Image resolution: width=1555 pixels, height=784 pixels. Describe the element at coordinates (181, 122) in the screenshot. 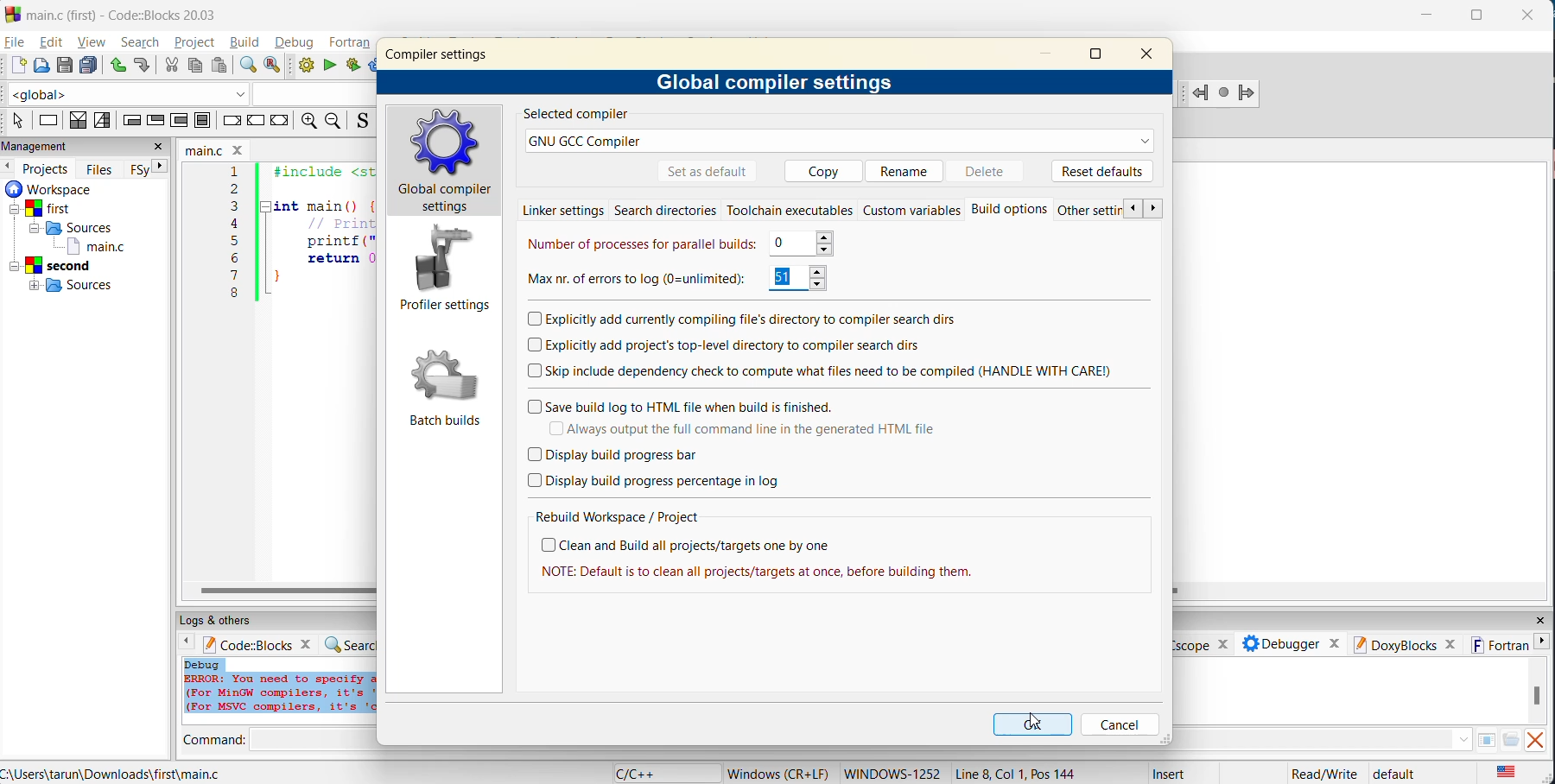

I see `counting loop` at that location.